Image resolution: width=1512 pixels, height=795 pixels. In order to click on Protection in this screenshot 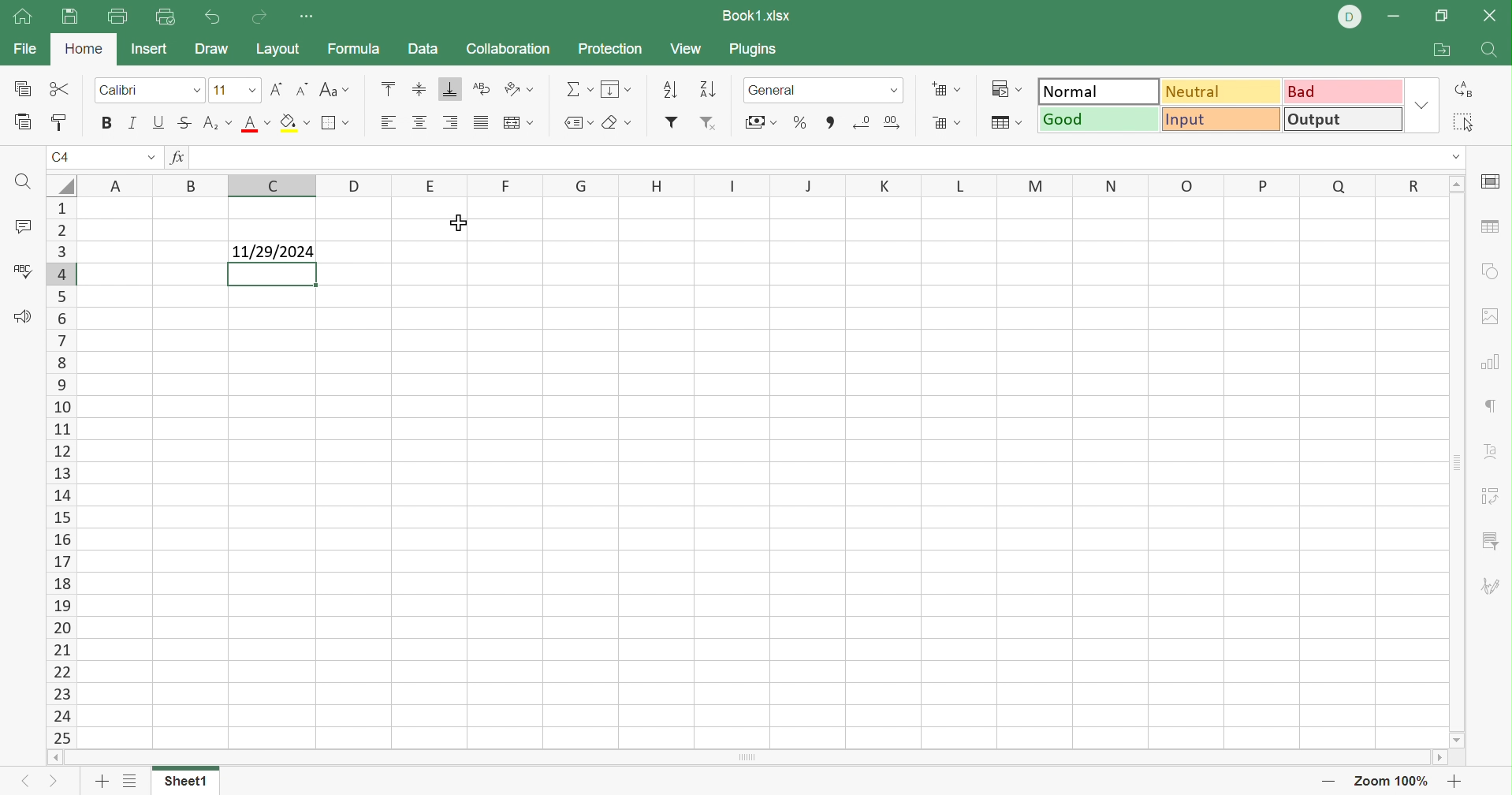, I will do `click(612, 50)`.